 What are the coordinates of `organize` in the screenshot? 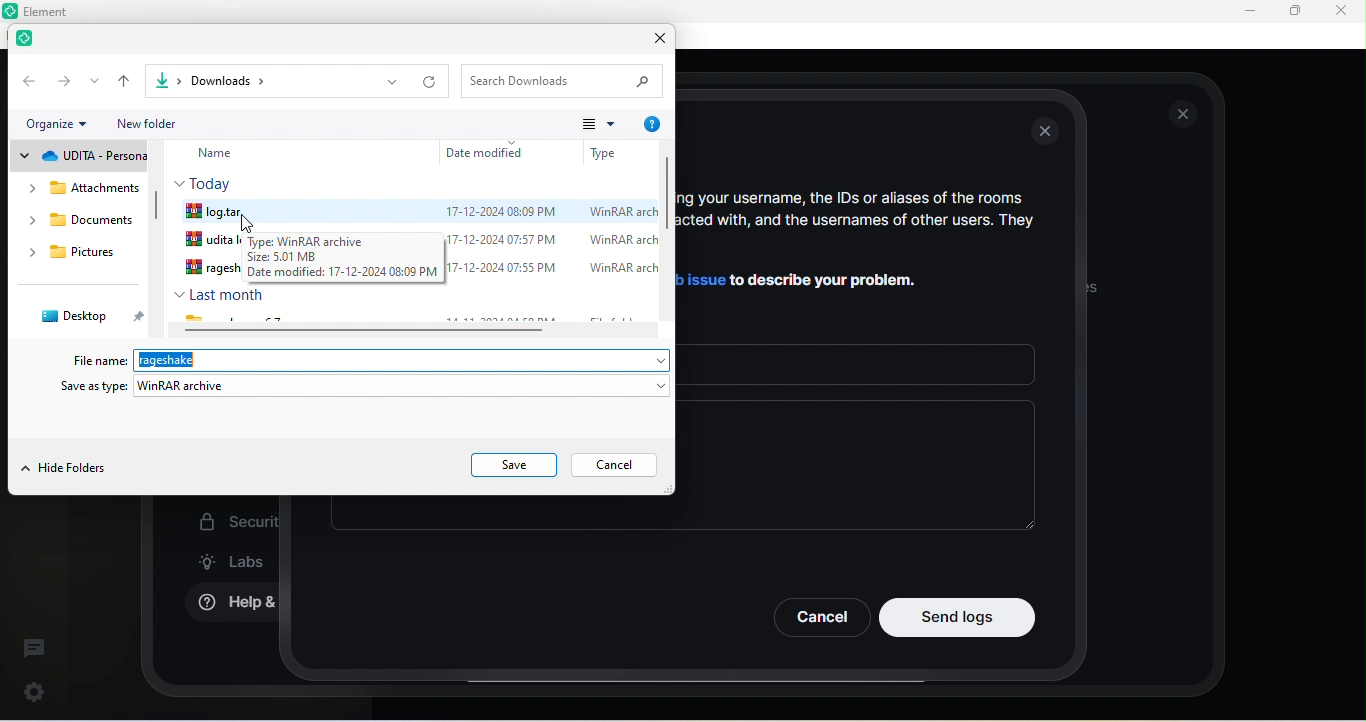 It's located at (63, 125).